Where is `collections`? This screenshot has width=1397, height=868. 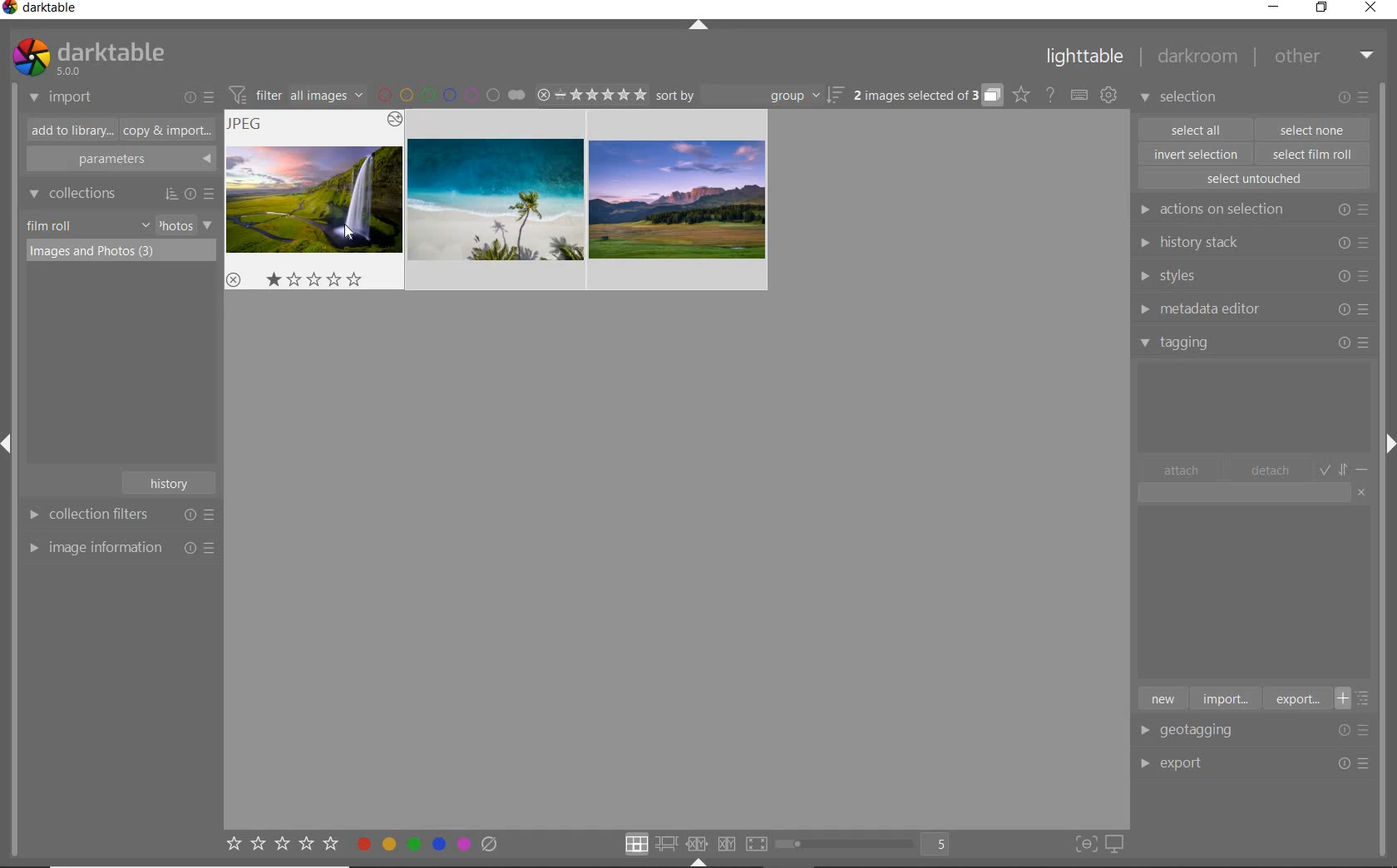 collections is located at coordinates (119, 194).